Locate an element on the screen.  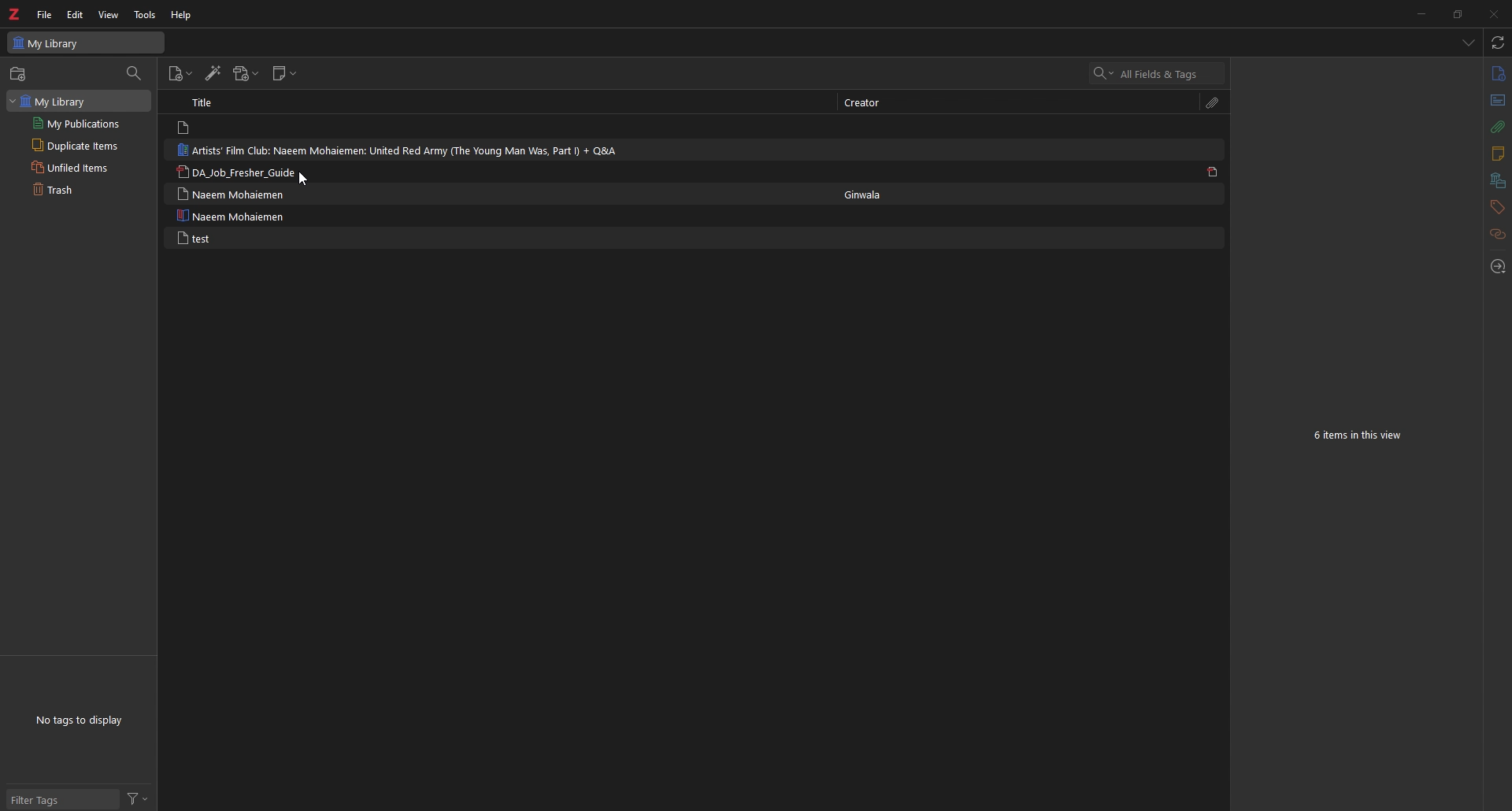
unfiled items is located at coordinates (79, 166).